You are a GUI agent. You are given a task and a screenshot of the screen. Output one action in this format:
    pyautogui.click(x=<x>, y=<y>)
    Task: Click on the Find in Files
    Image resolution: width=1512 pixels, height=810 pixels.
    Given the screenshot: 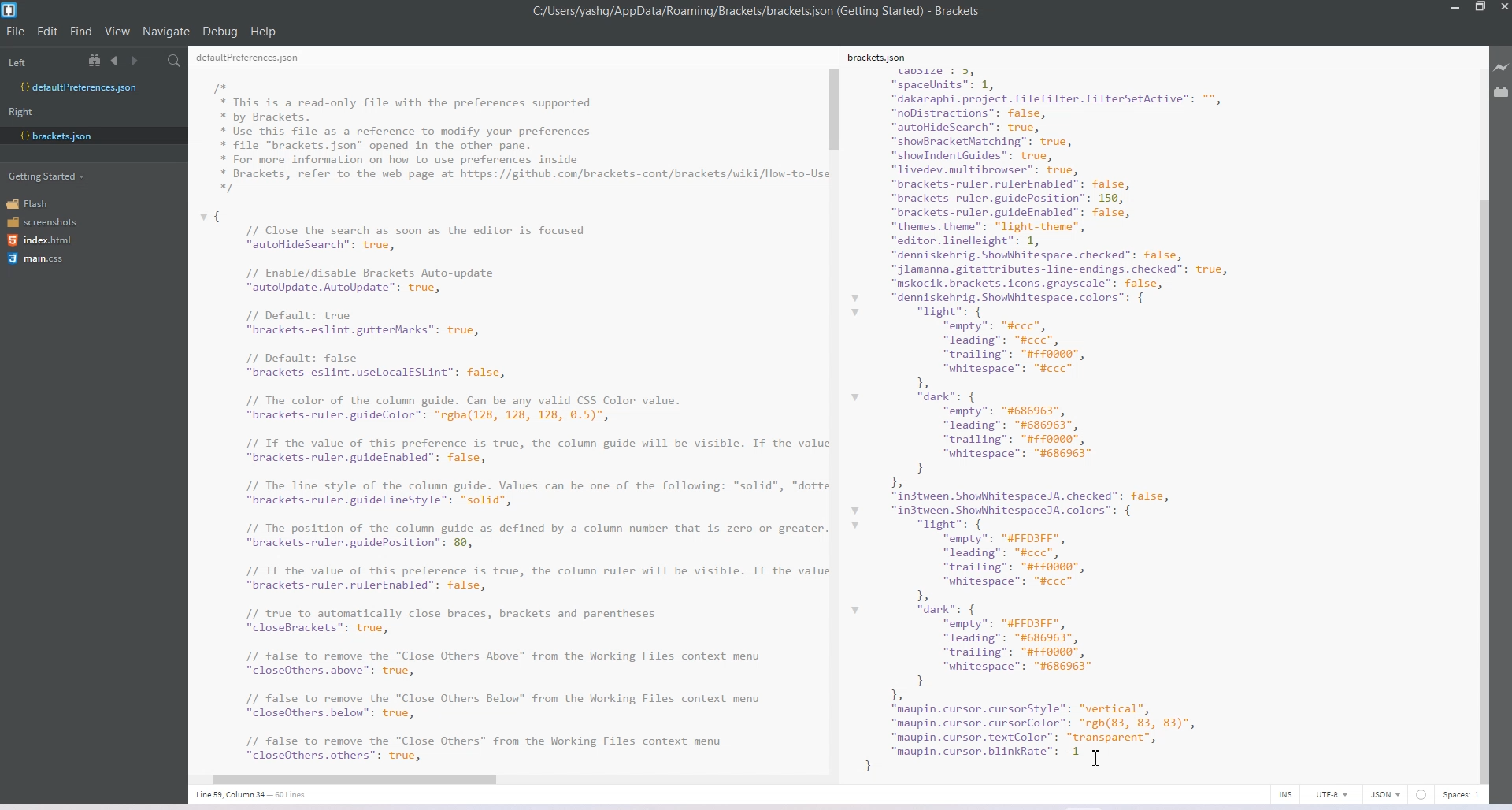 What is the action you would take?
    pyautogui.click(x=176, y=61)
    